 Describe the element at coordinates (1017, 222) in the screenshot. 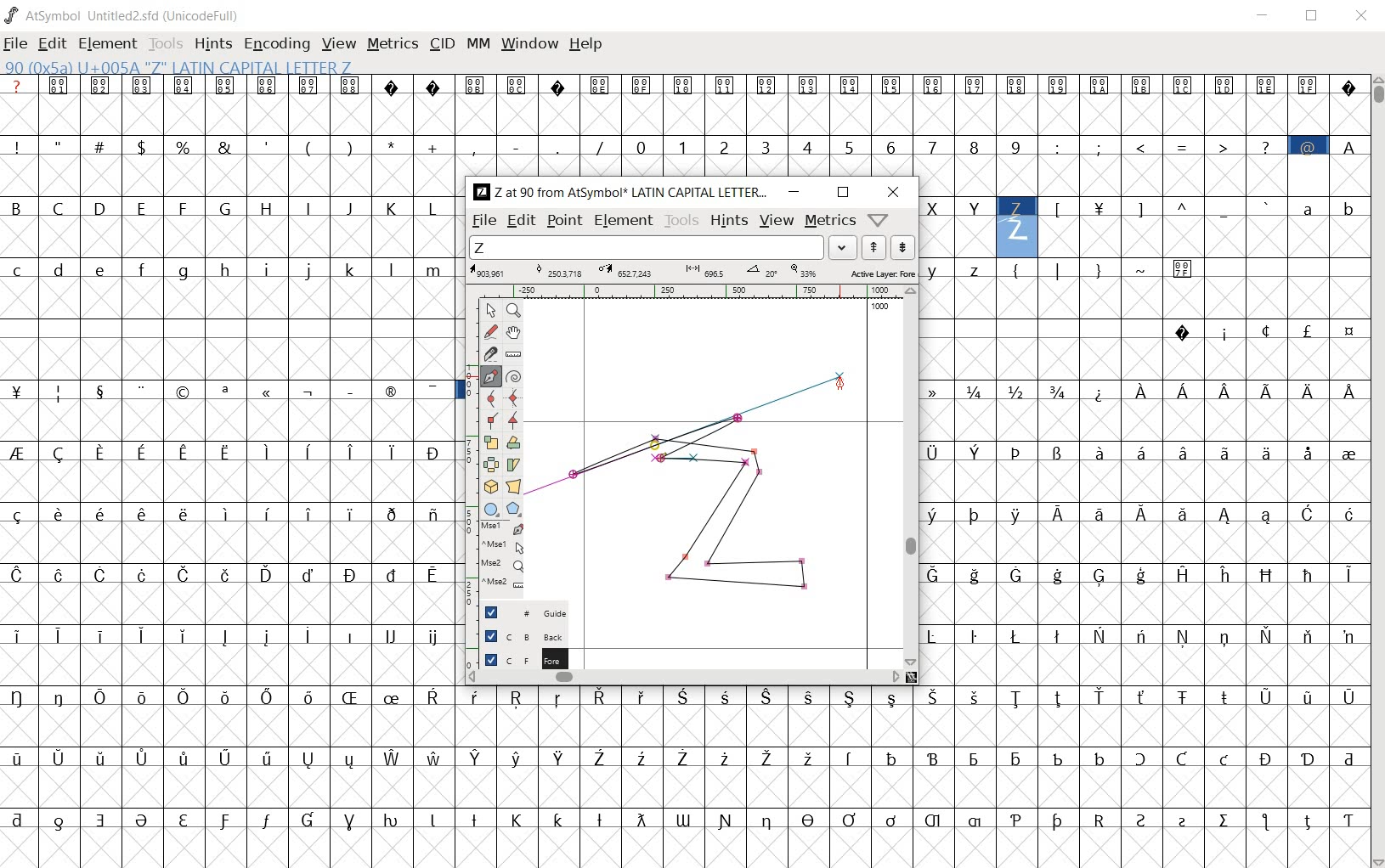

I see `90(0x5a) U+005A "Z" LATIN CAPITAL LETTER Z` at that location.